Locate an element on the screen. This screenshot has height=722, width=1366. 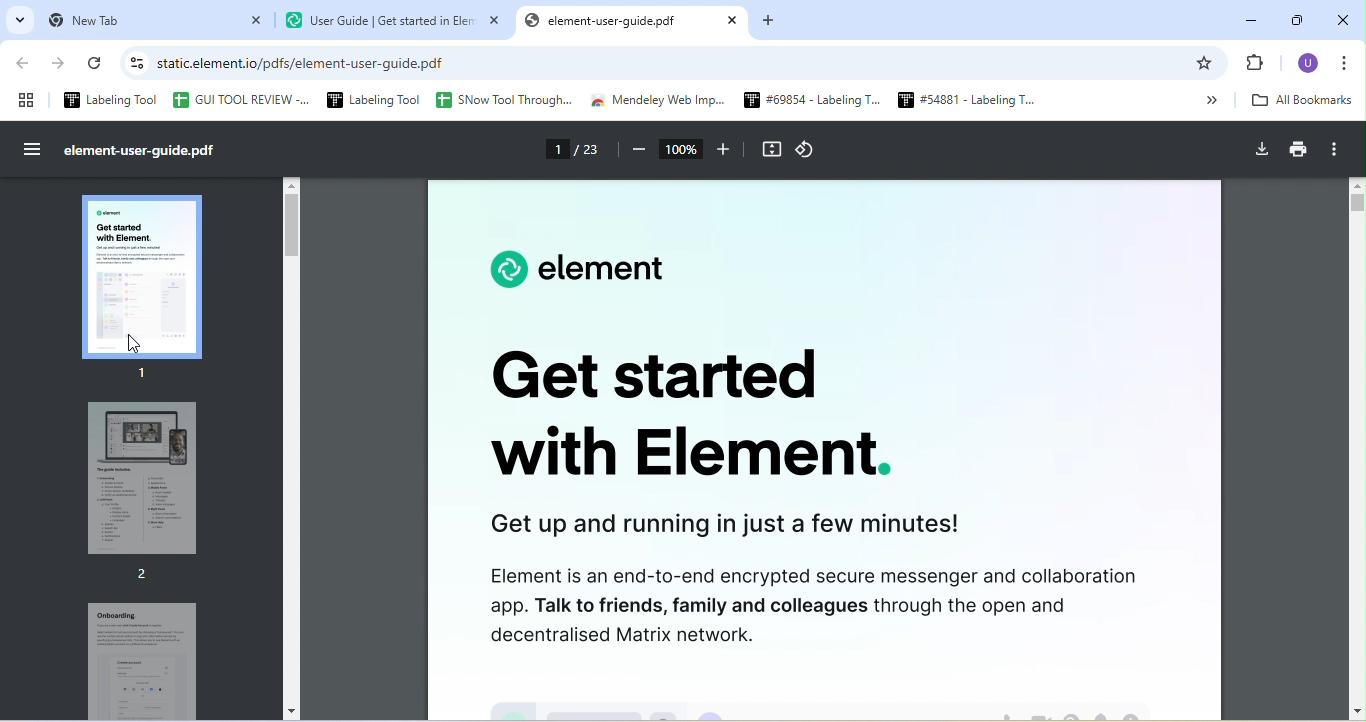
cursor is located at coordinates (136, 342).